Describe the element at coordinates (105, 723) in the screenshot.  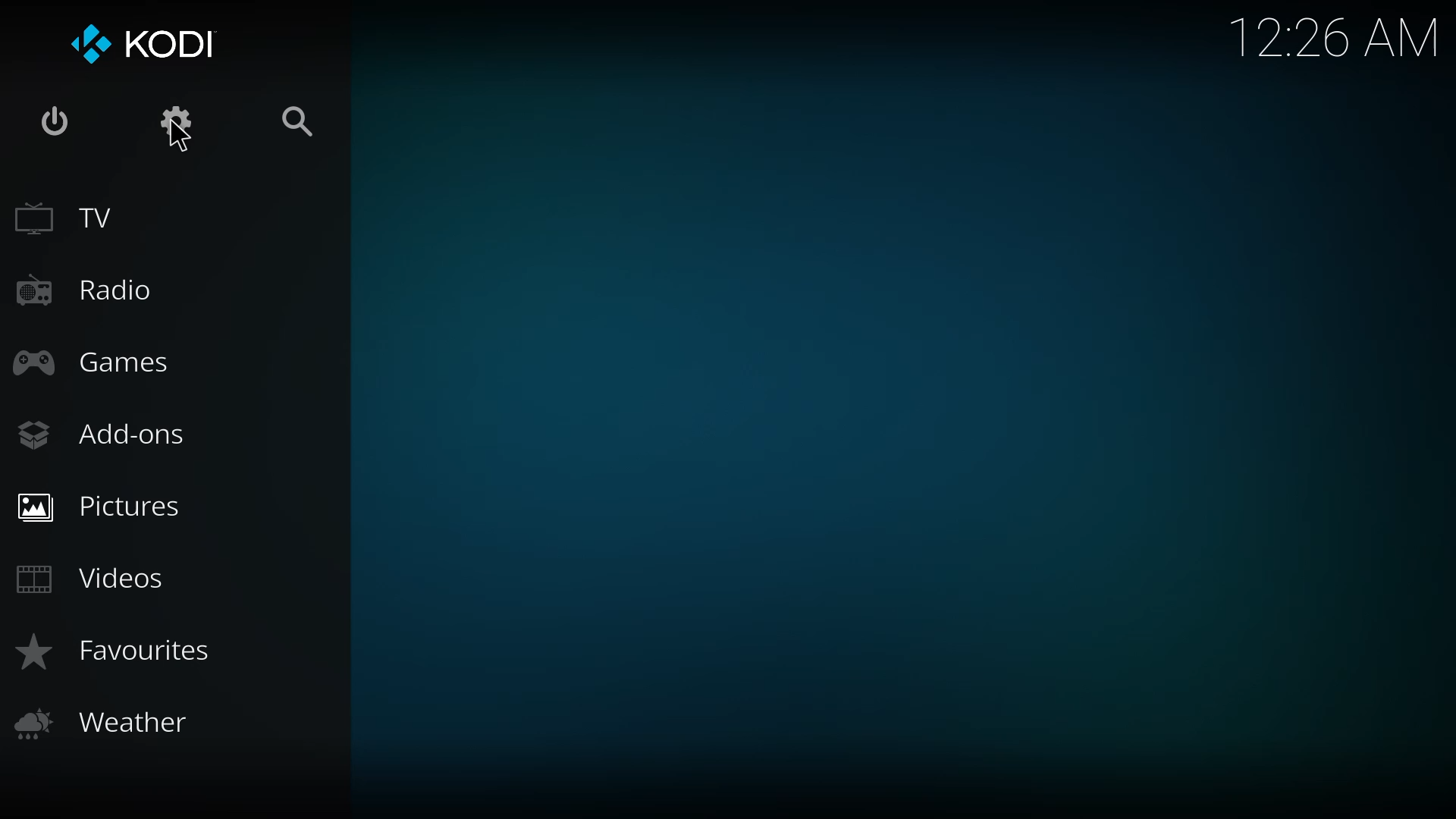
I see `weather` at that location.